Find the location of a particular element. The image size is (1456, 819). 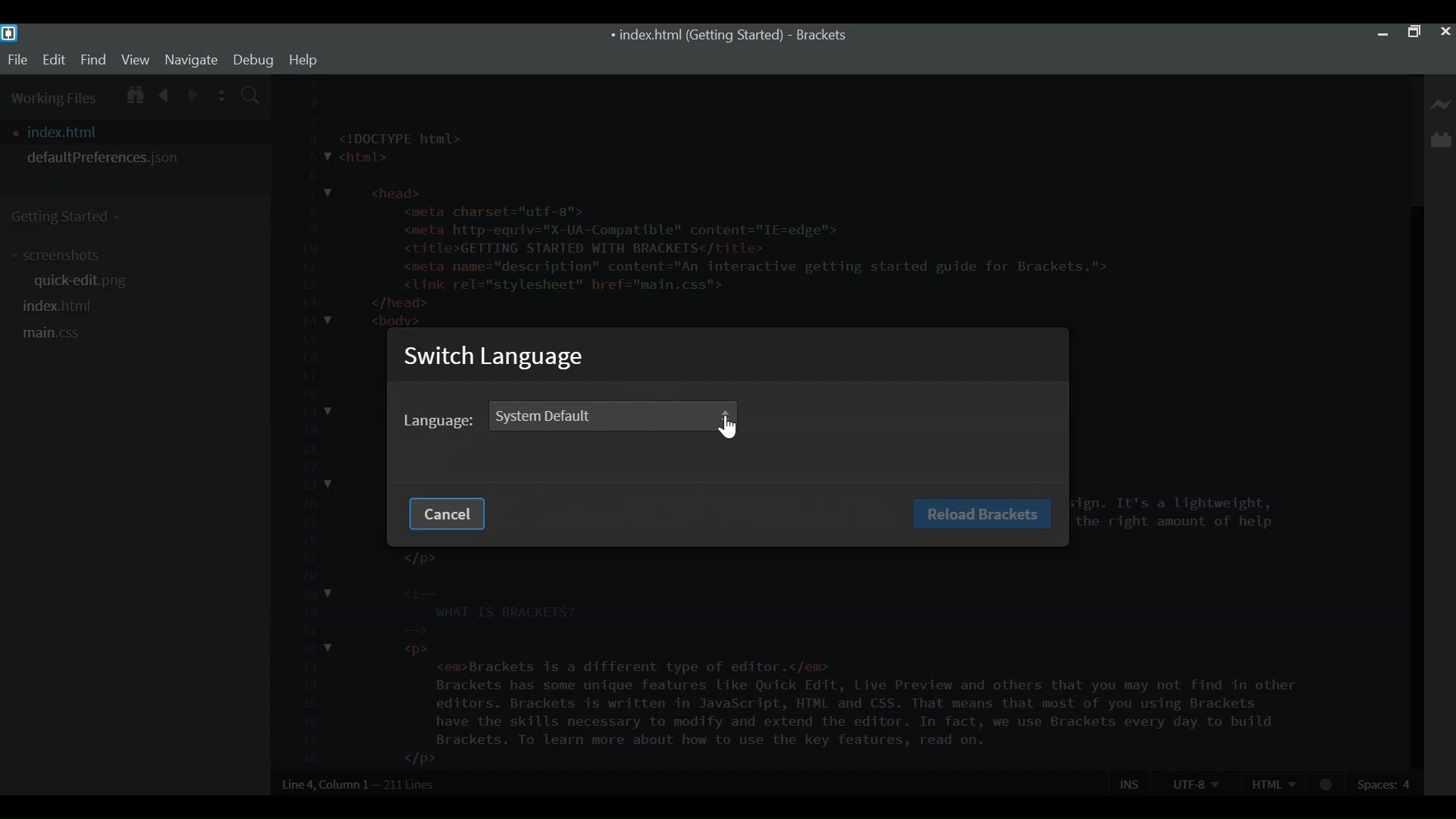

Edit is located at coordinates (53, 60).